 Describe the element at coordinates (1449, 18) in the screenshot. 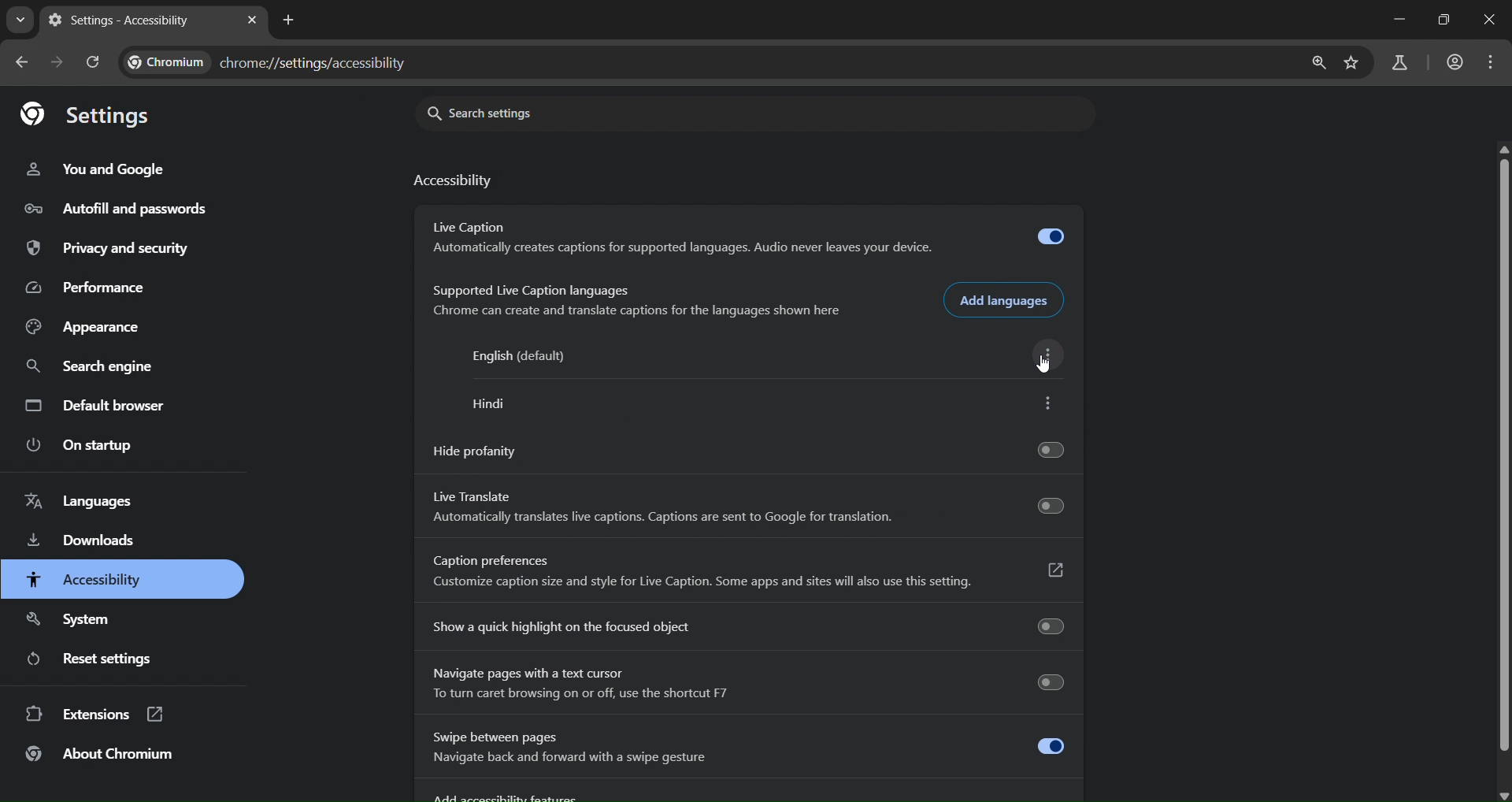

I see `restore down` at that location.